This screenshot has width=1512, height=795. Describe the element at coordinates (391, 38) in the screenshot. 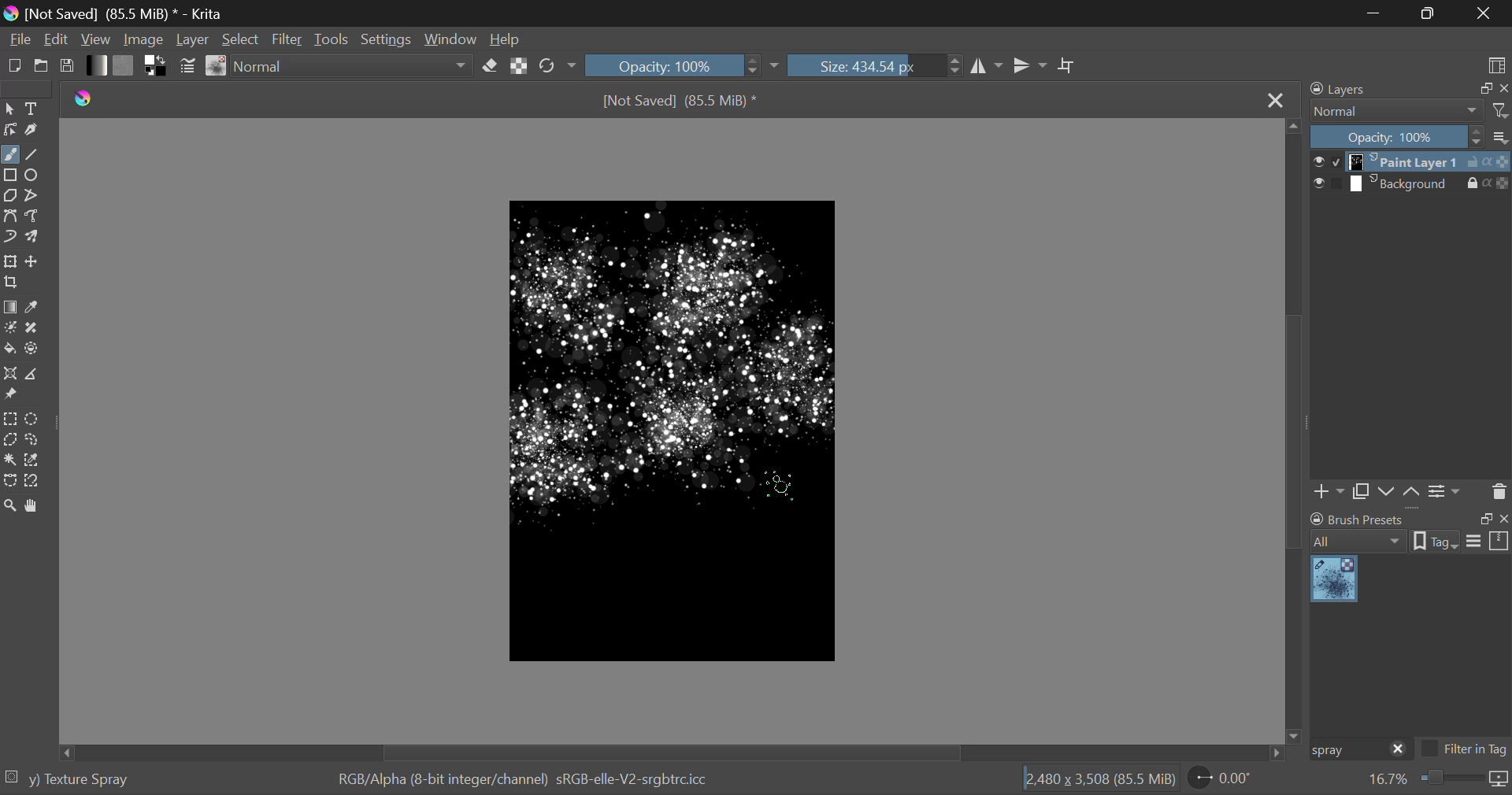

I see `Settings` at that location.